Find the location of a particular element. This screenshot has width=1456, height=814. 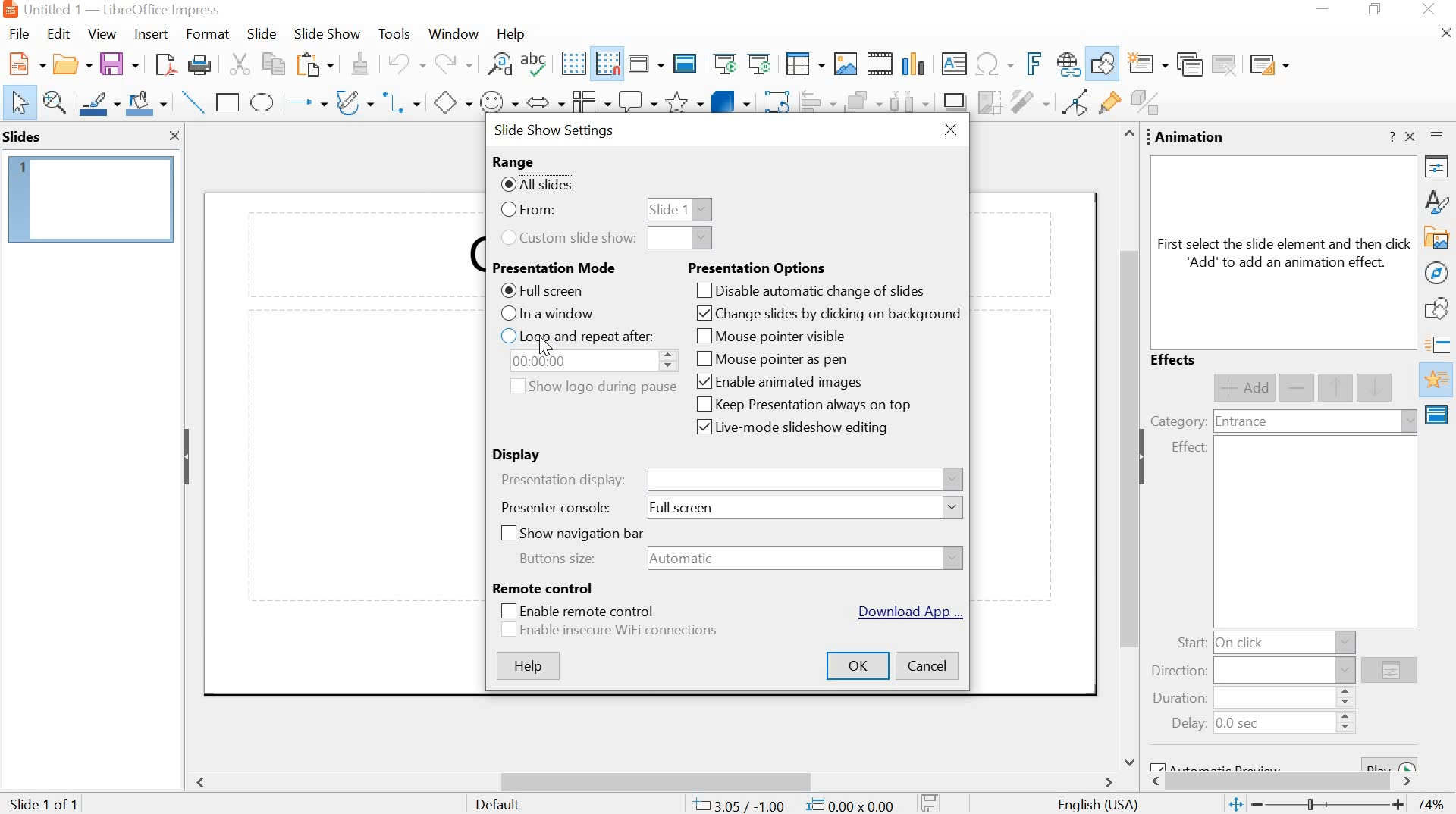

dropdown is located at coordinates (954, 508).